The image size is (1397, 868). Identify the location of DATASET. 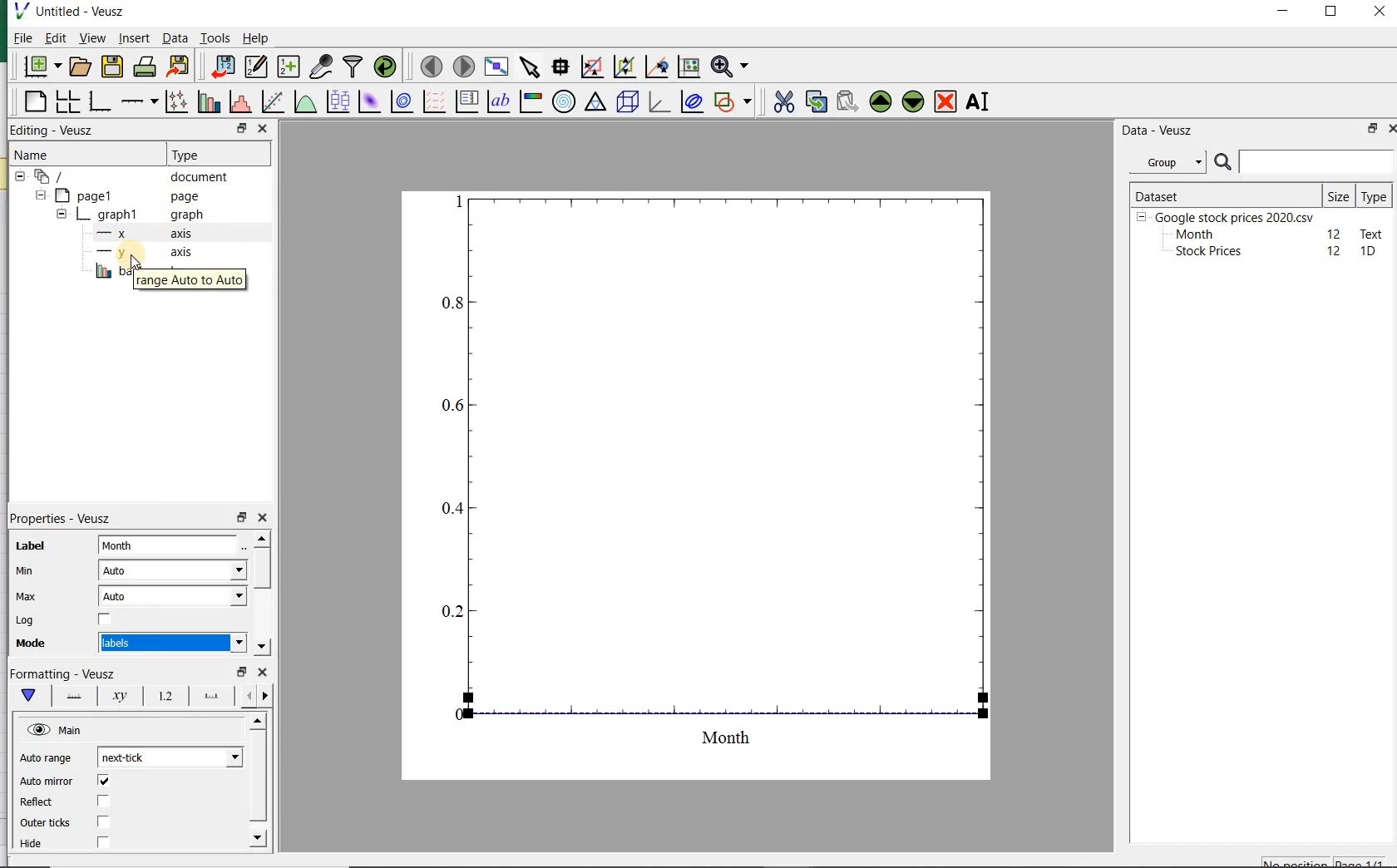
(1224, 193).